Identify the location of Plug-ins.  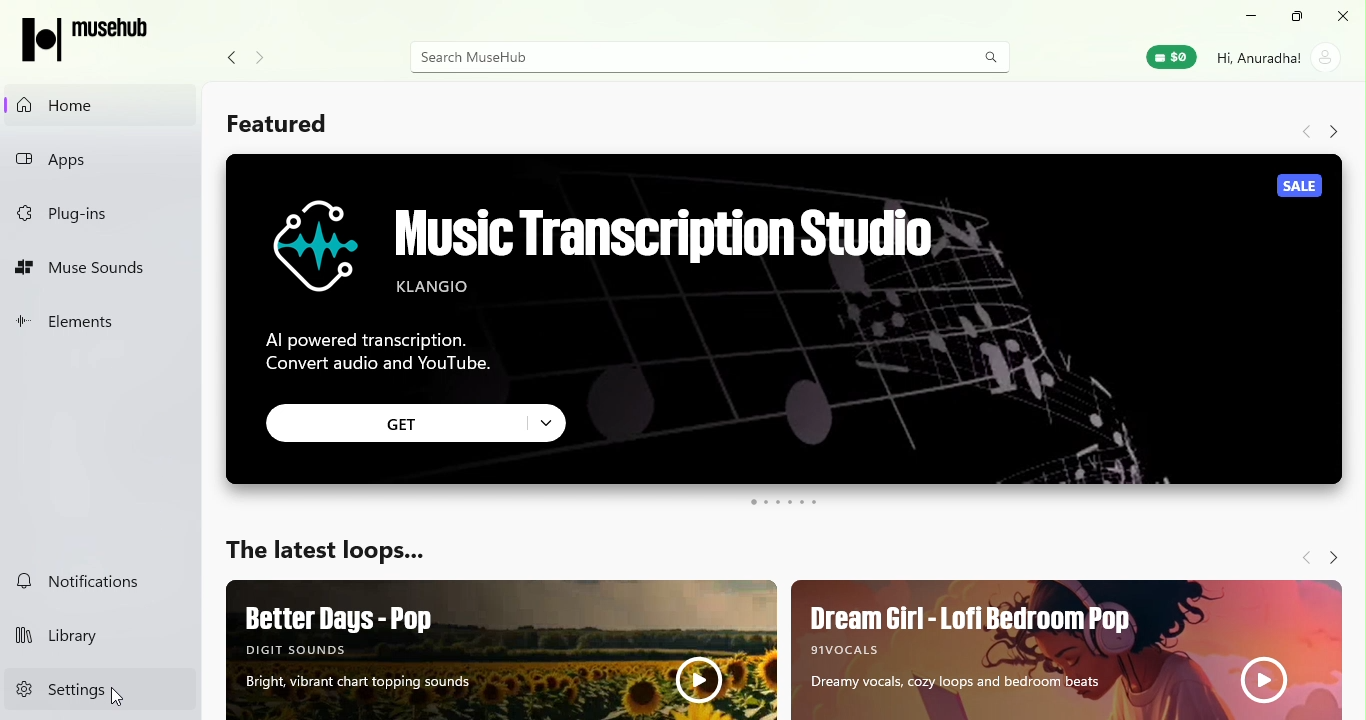
(95, 214).